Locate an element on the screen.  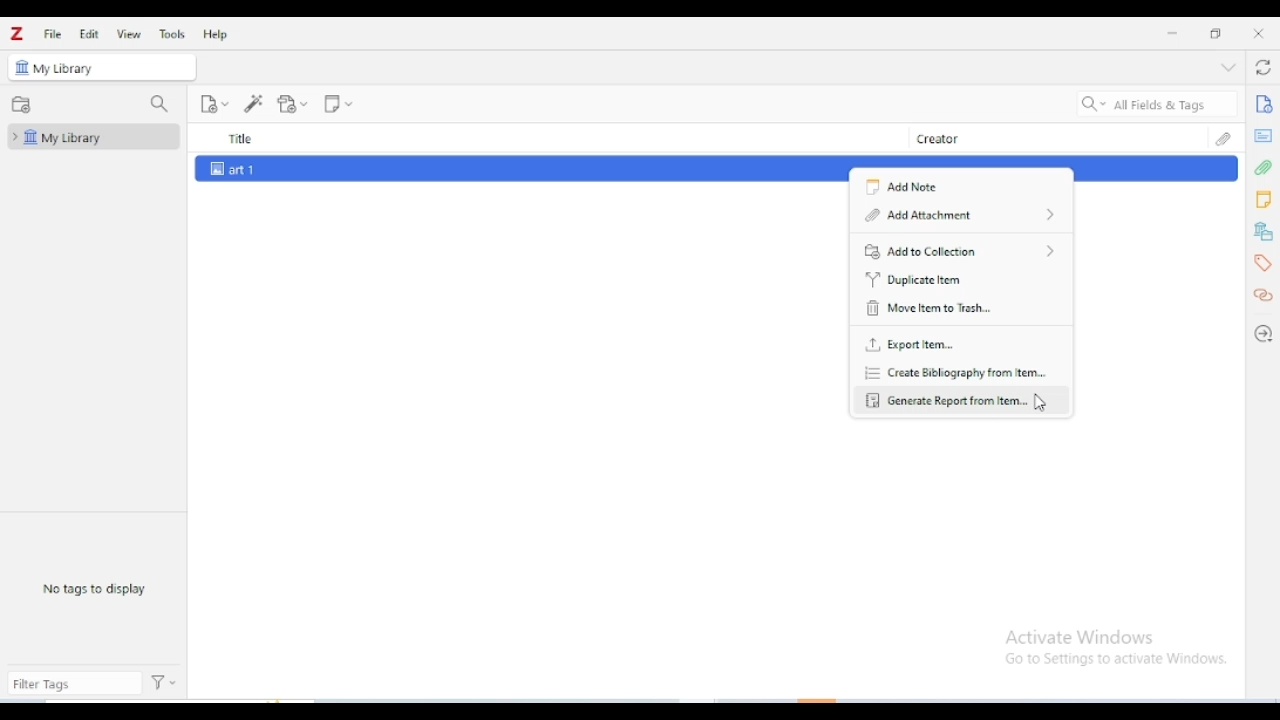
create bibliography from item is located at coordinates (957, 372).